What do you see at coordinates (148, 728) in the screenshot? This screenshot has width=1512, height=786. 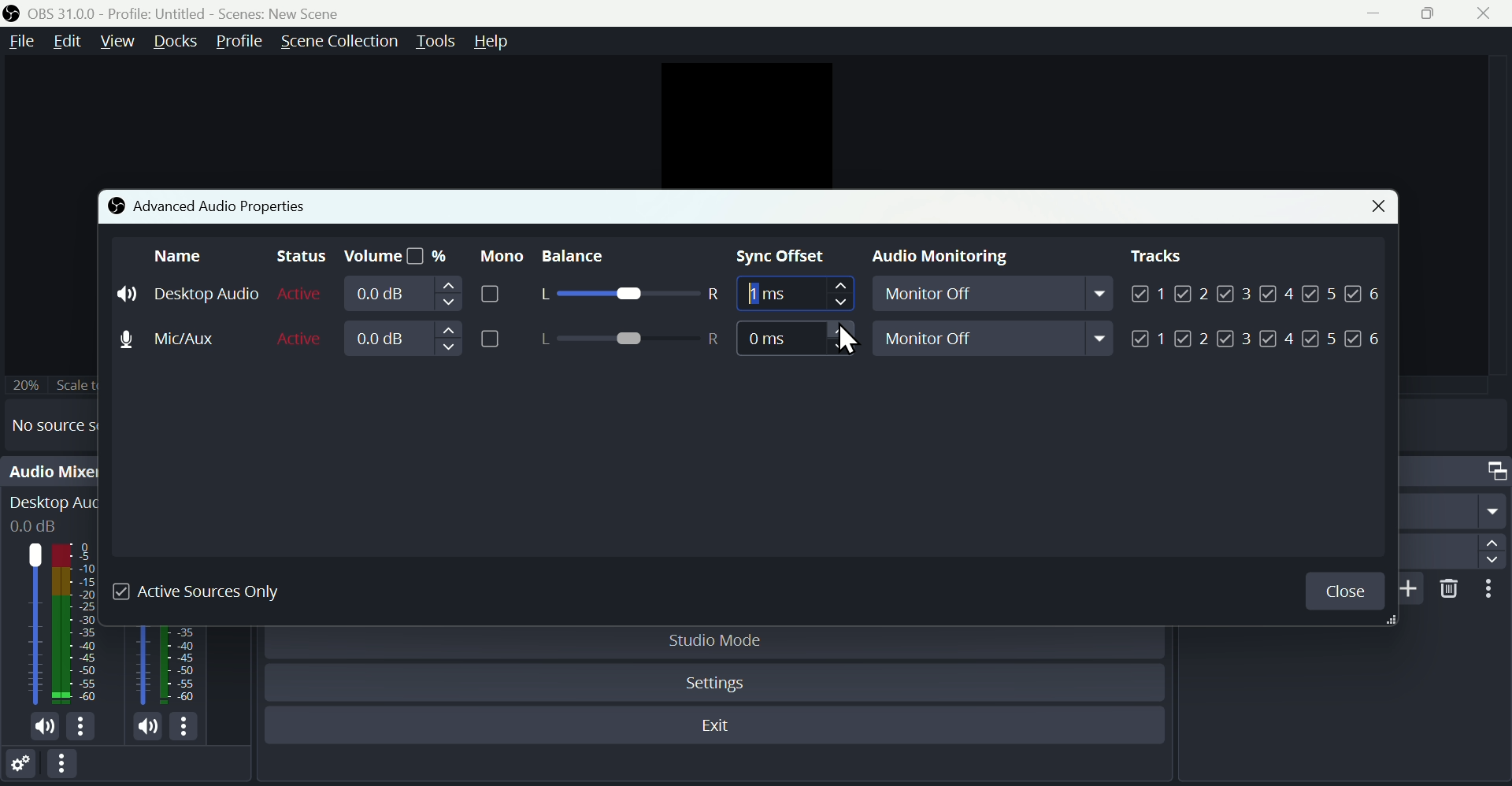 I see `(un)mute` at bounding box center [148, 728].